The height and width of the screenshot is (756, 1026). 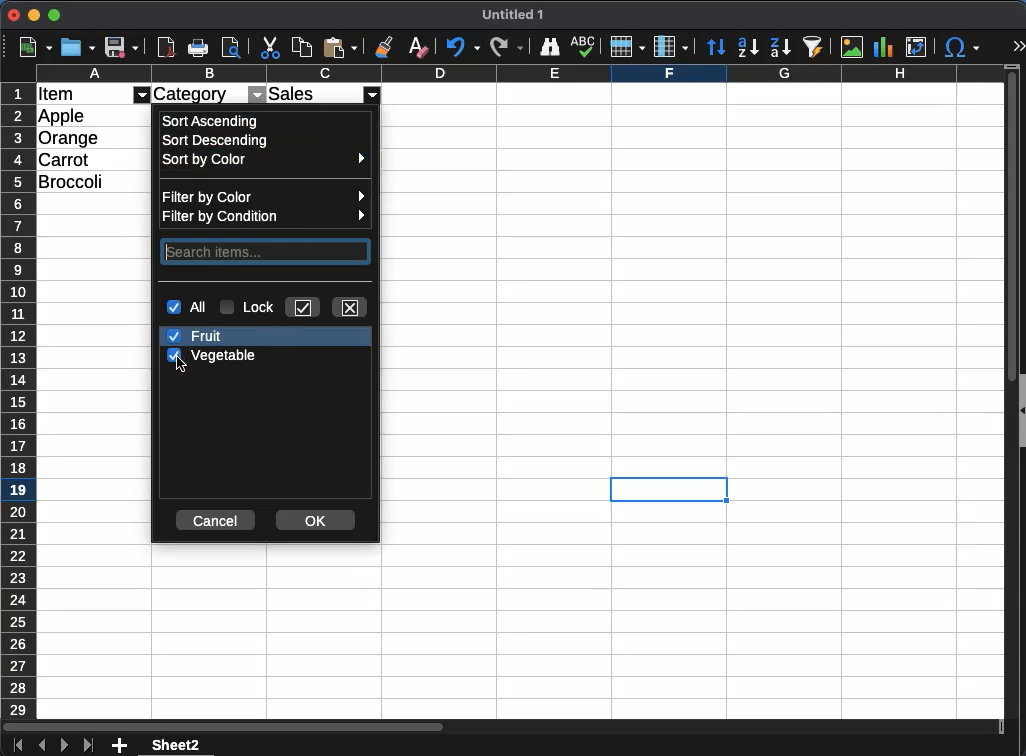 What do you see at coordinates (920, 44) in the screenshot?
I see `pivot table` at bounding box center [920, 44].